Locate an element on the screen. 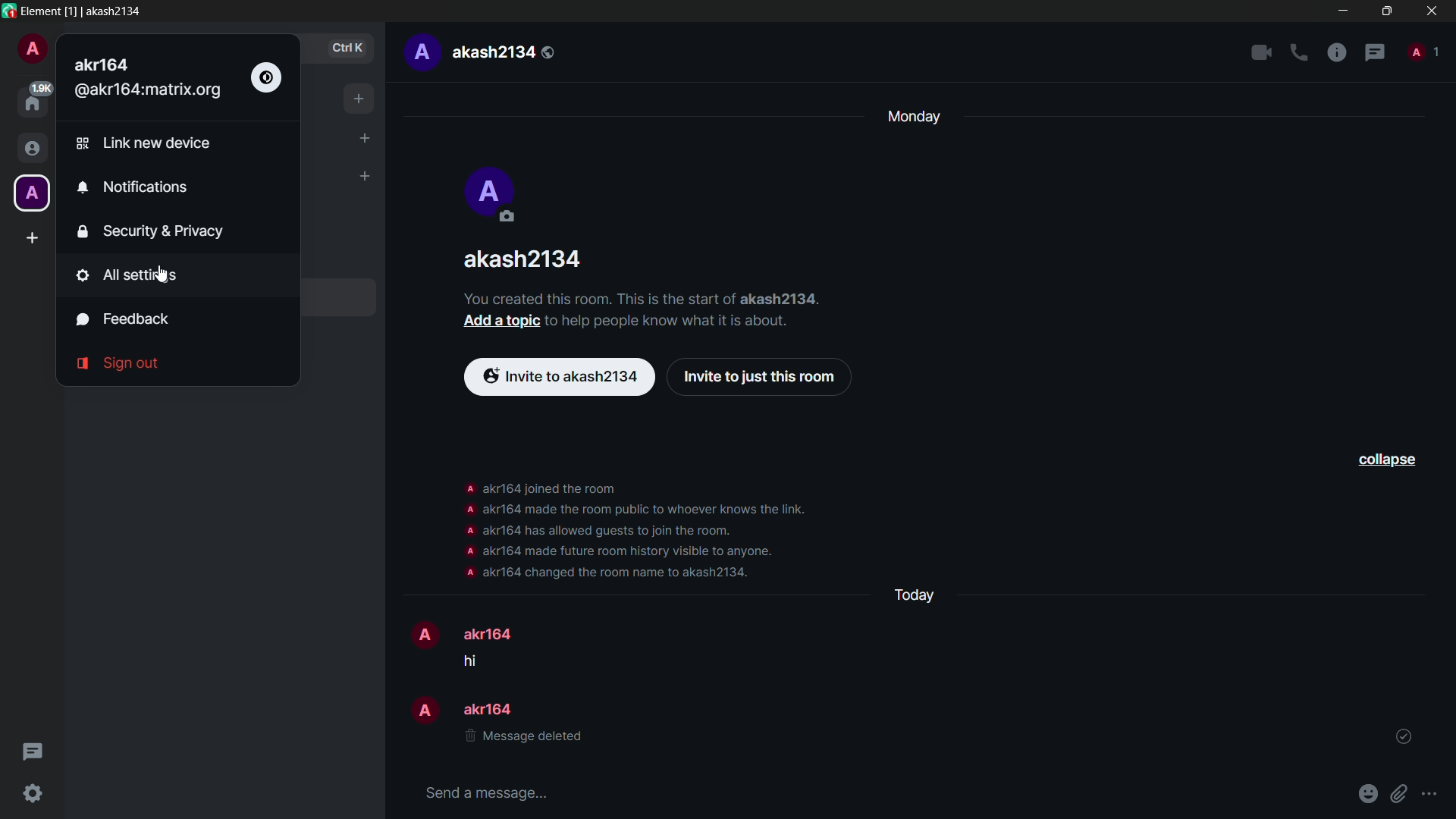 The height and width of the screenshot is (819, 1456). invite to just this room is located at coordinates (761, 379).